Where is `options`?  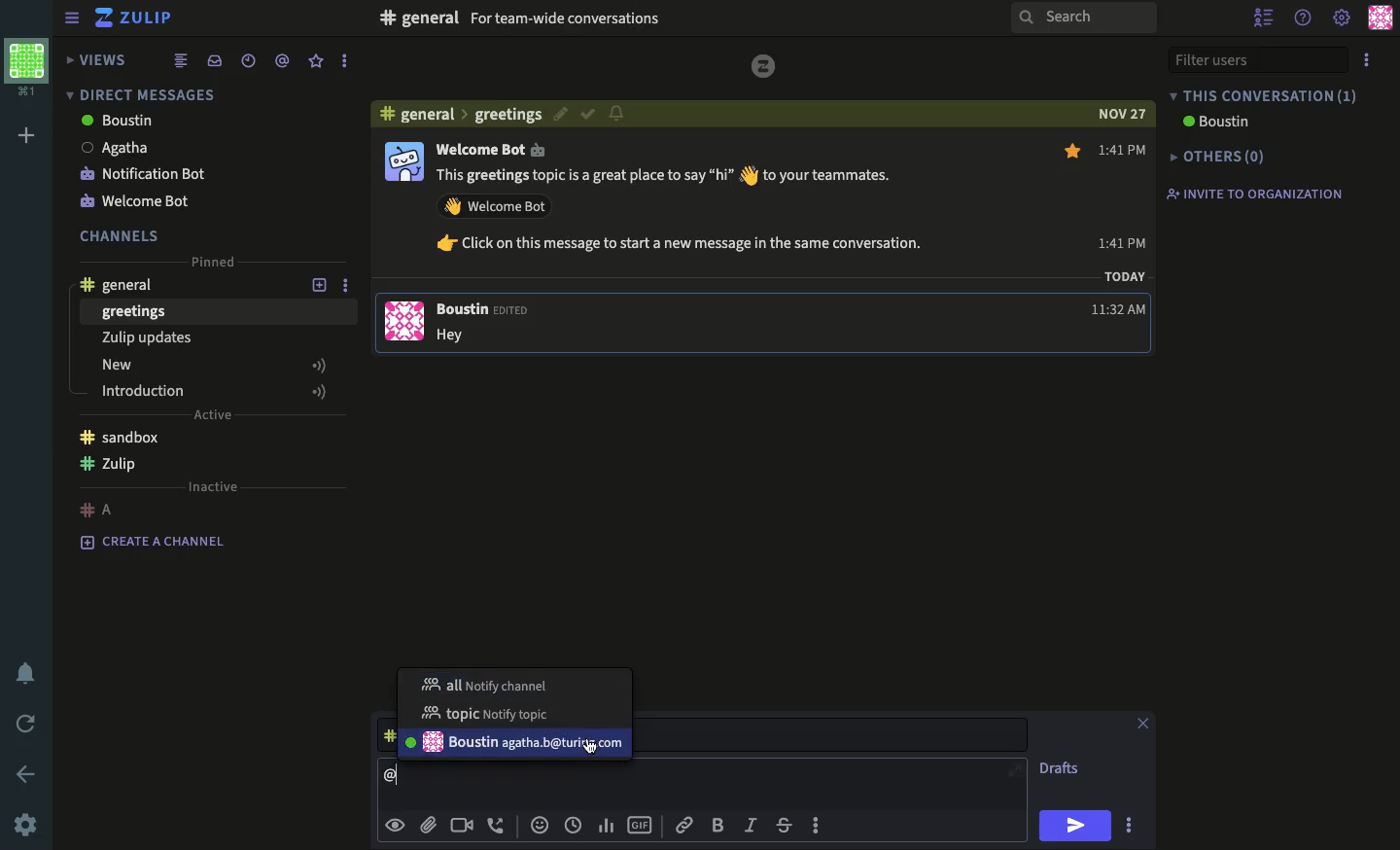 options is located at coordinates (1130, 826).